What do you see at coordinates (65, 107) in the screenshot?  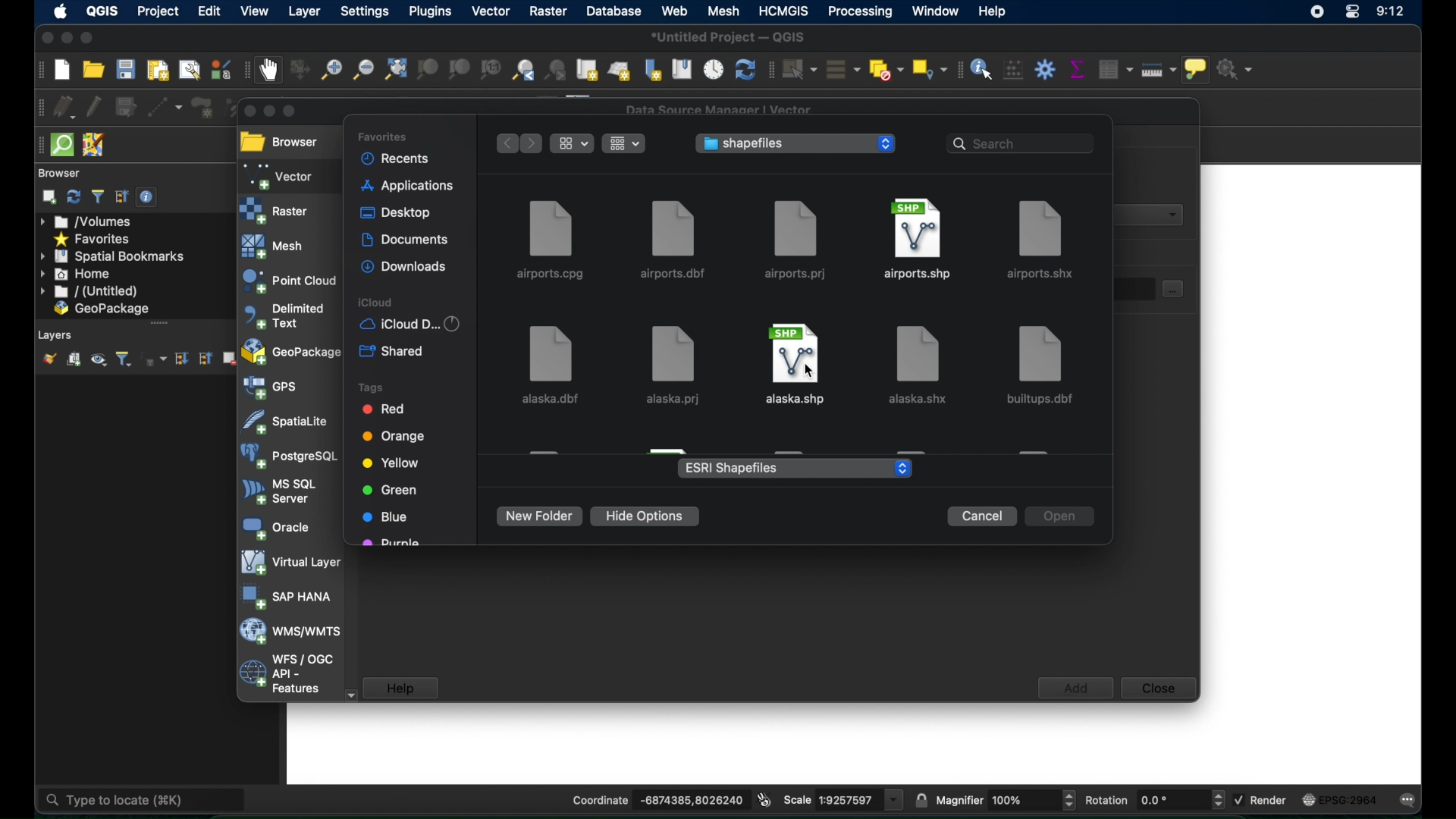 I see `curent edits` at bounding box center [65, 107].